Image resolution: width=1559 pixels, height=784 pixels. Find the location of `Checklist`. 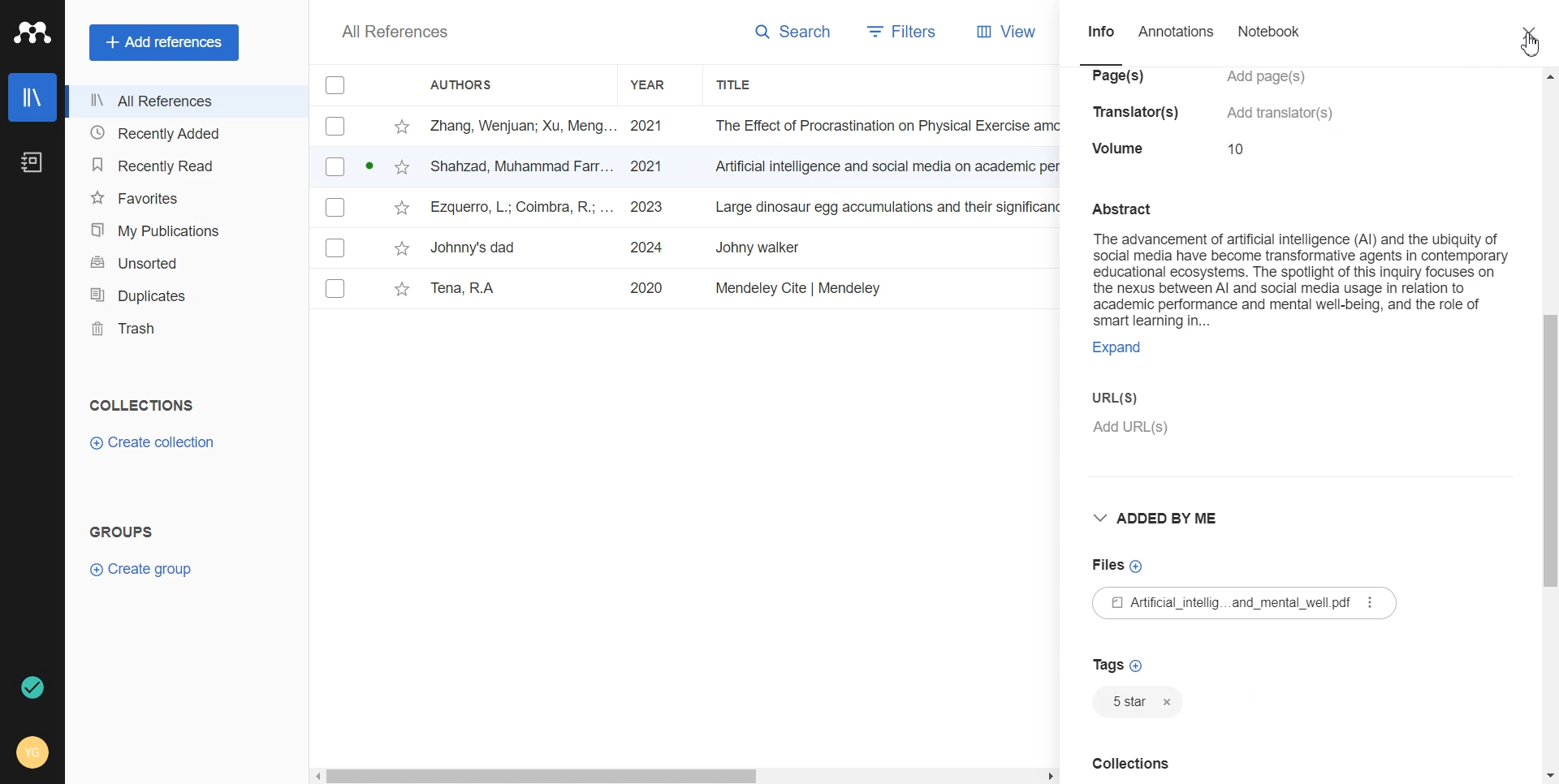

Checklist is located at coordinates (335, 84).